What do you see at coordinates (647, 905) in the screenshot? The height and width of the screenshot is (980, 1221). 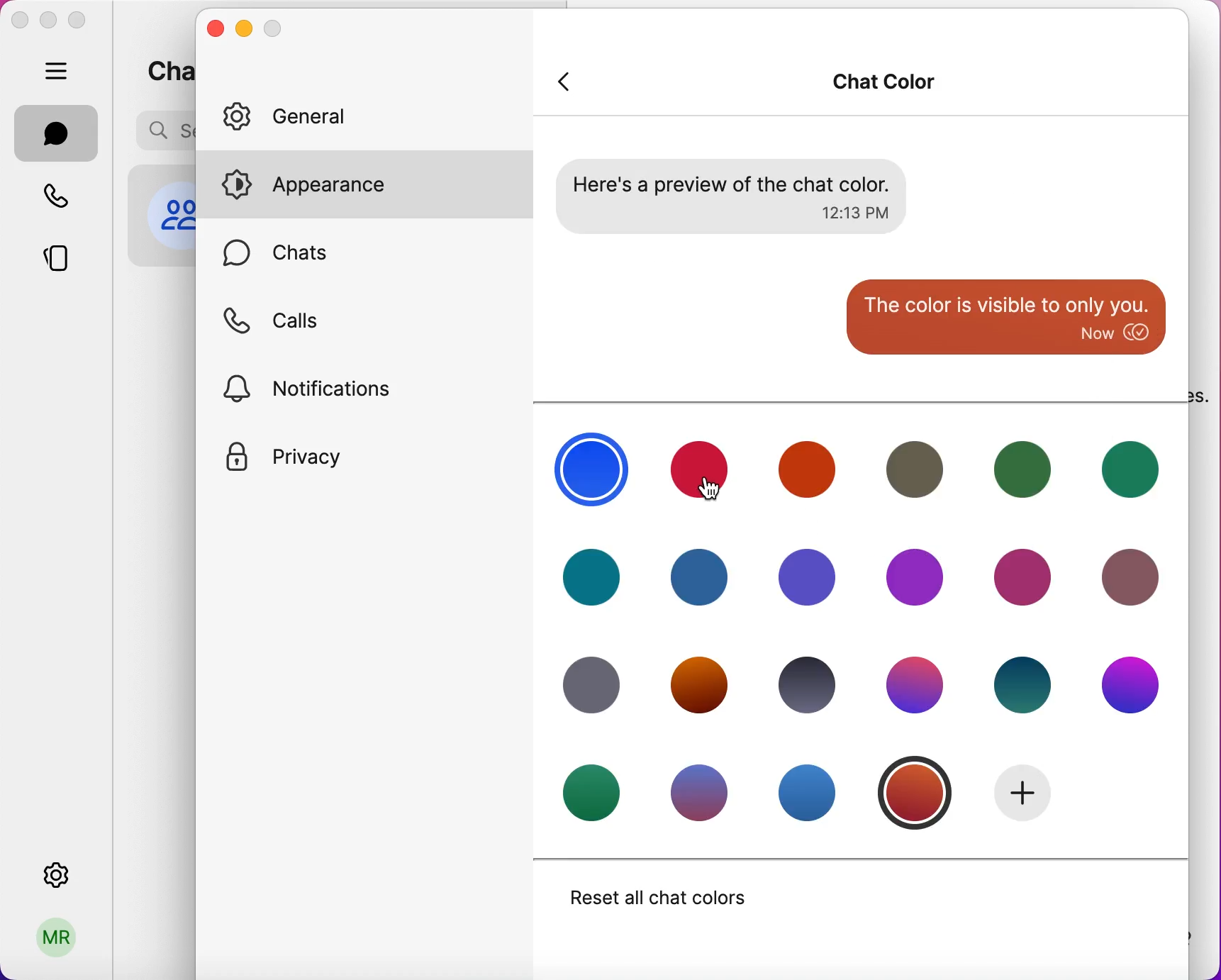 I see `reset all chat colors` at bounding box center [647, 905].